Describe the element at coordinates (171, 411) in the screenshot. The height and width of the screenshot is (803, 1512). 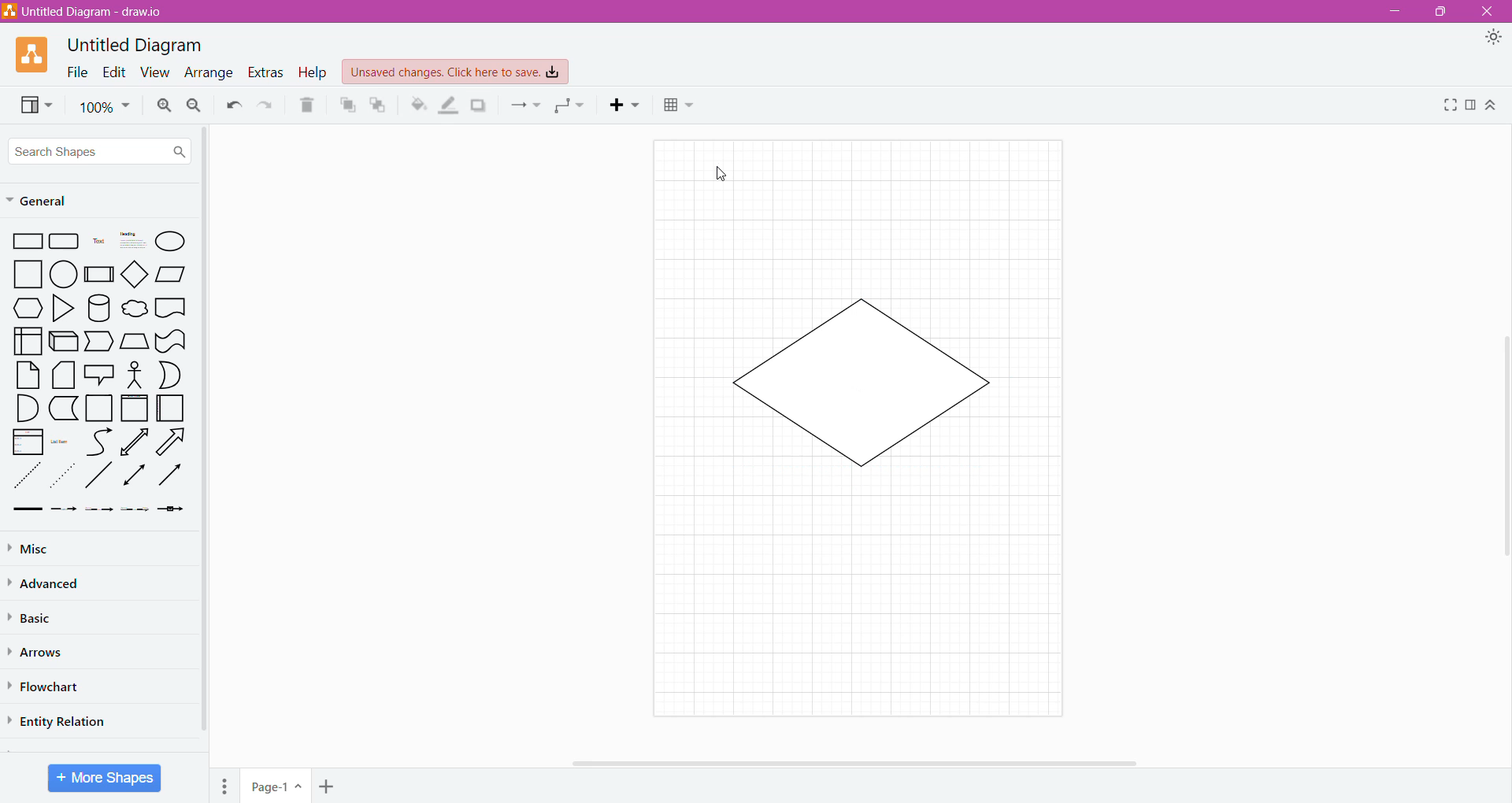
I see `Horizontal Container` at that location.